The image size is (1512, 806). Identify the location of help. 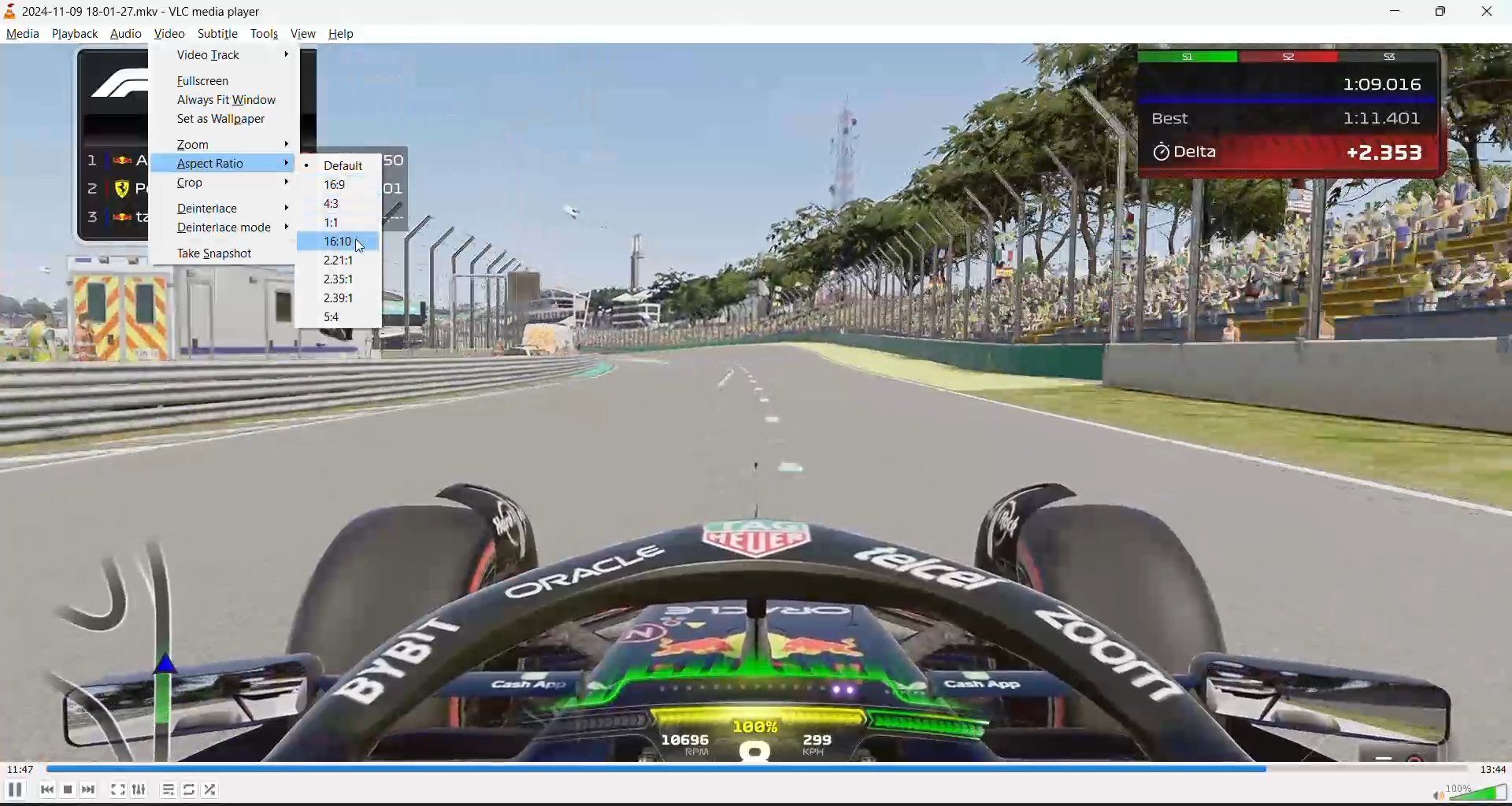
(340, 35).